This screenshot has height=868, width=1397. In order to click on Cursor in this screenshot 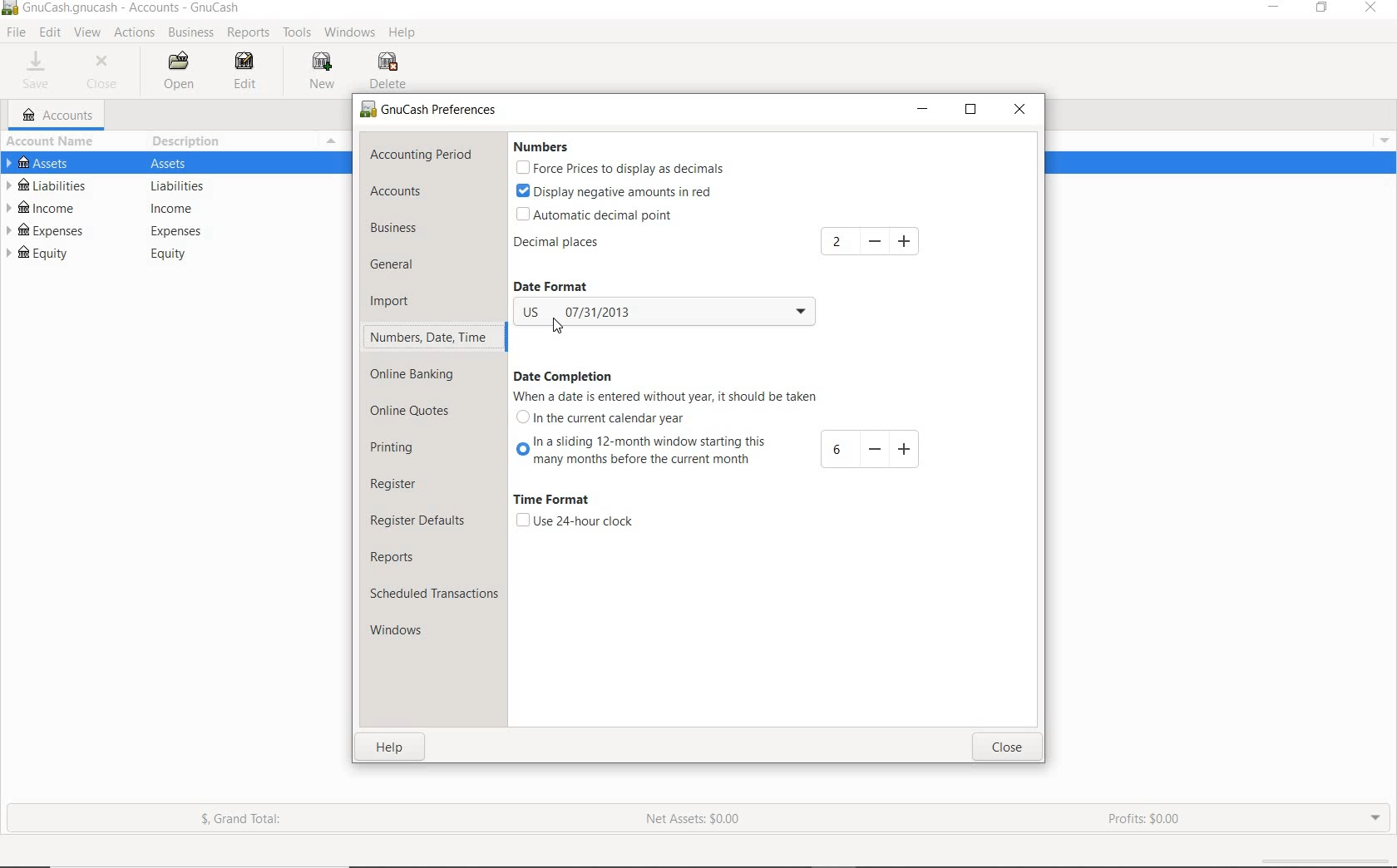, I will do `click(553, 329)`.